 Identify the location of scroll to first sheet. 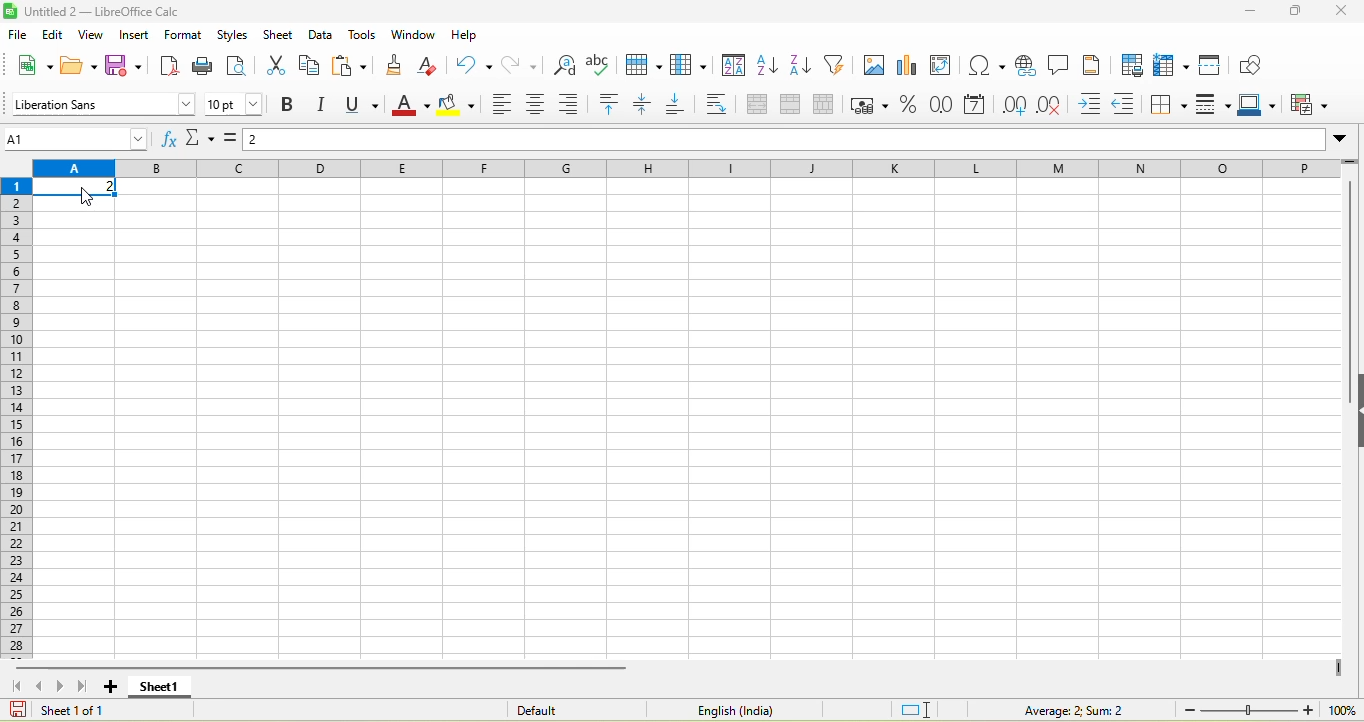
(16, 685).